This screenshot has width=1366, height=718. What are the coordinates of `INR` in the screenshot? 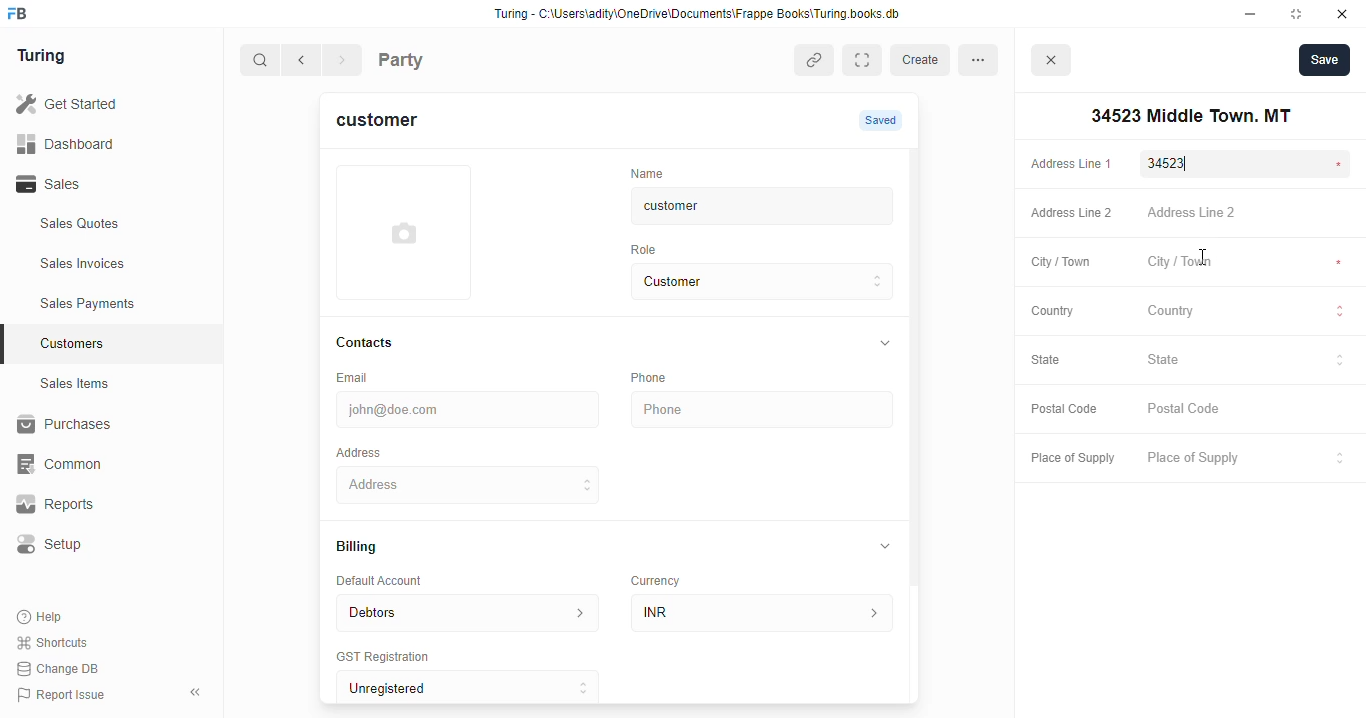 It's located at (766, 612).